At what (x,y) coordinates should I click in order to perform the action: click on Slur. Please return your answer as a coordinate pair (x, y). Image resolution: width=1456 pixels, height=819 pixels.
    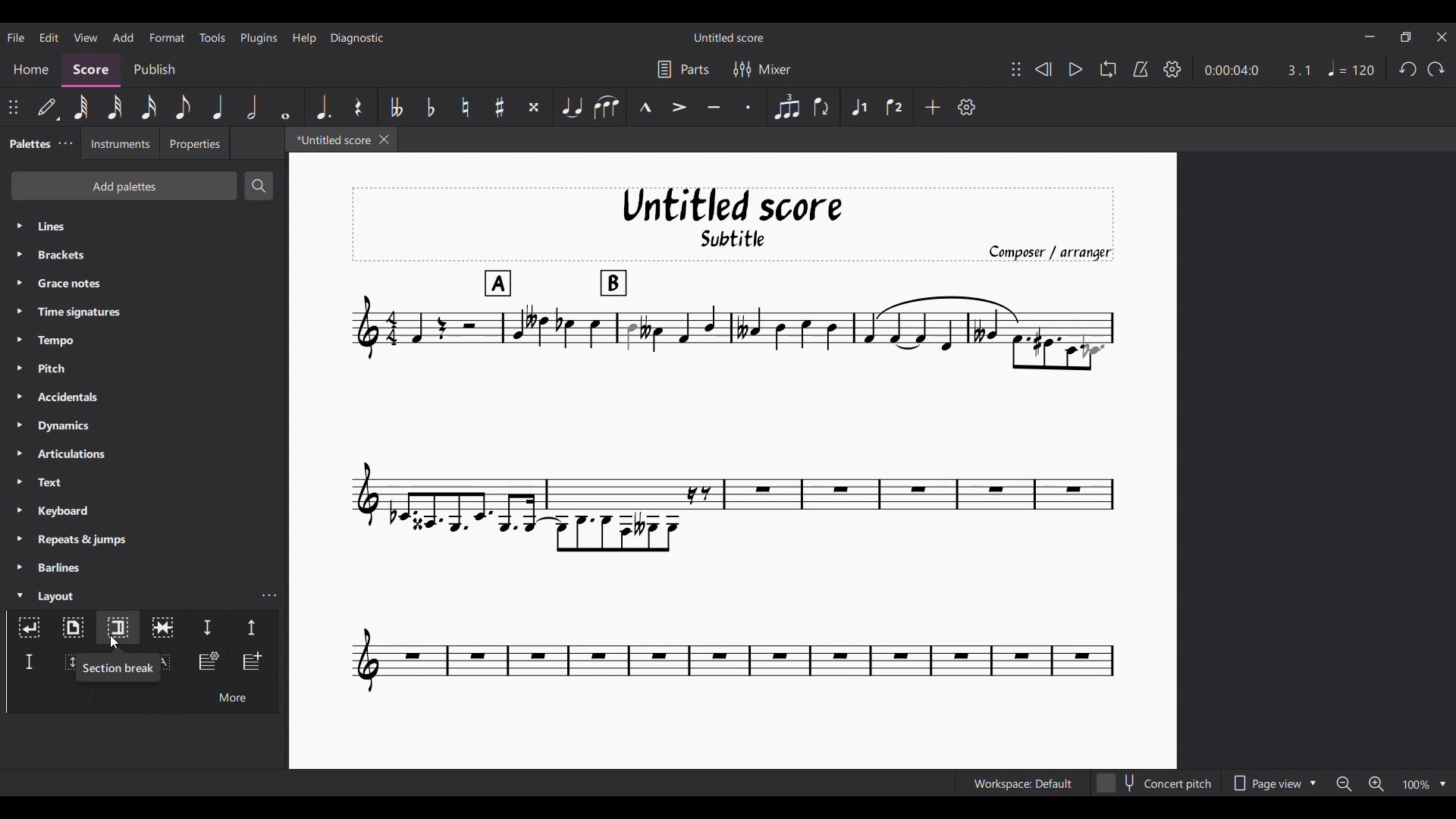
    Looking at the image, I should click on (607, 107).